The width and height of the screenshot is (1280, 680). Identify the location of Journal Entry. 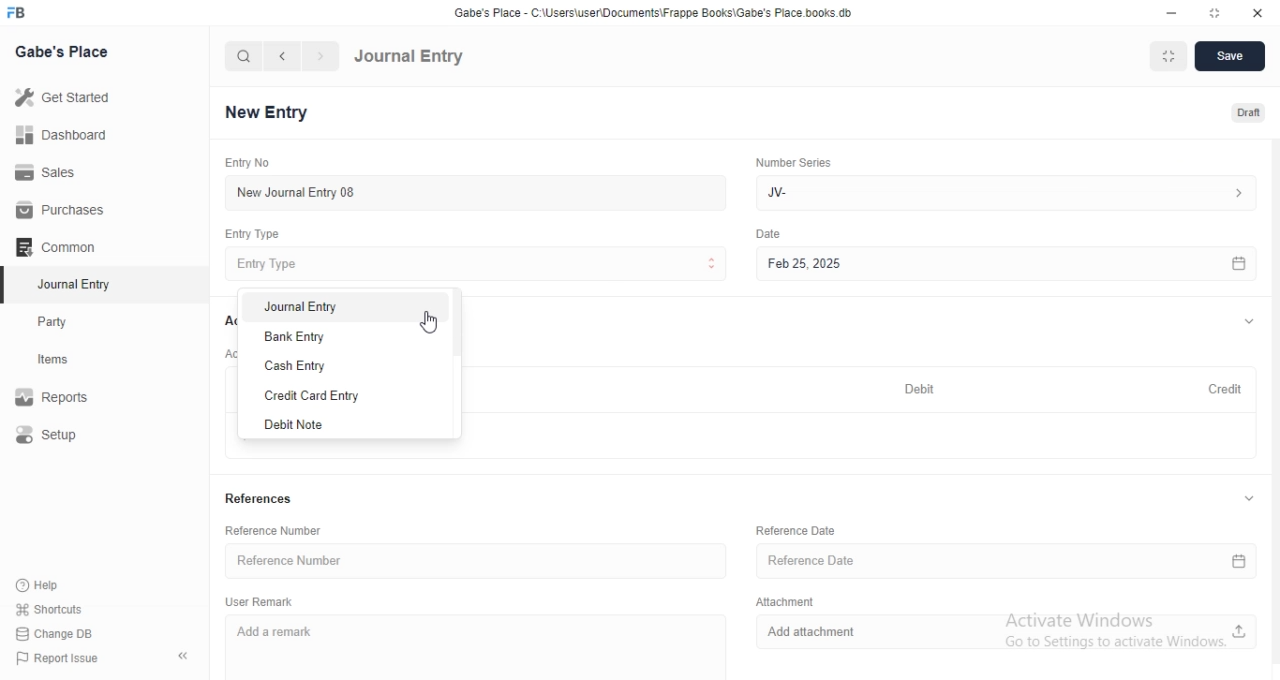
(410, 57).